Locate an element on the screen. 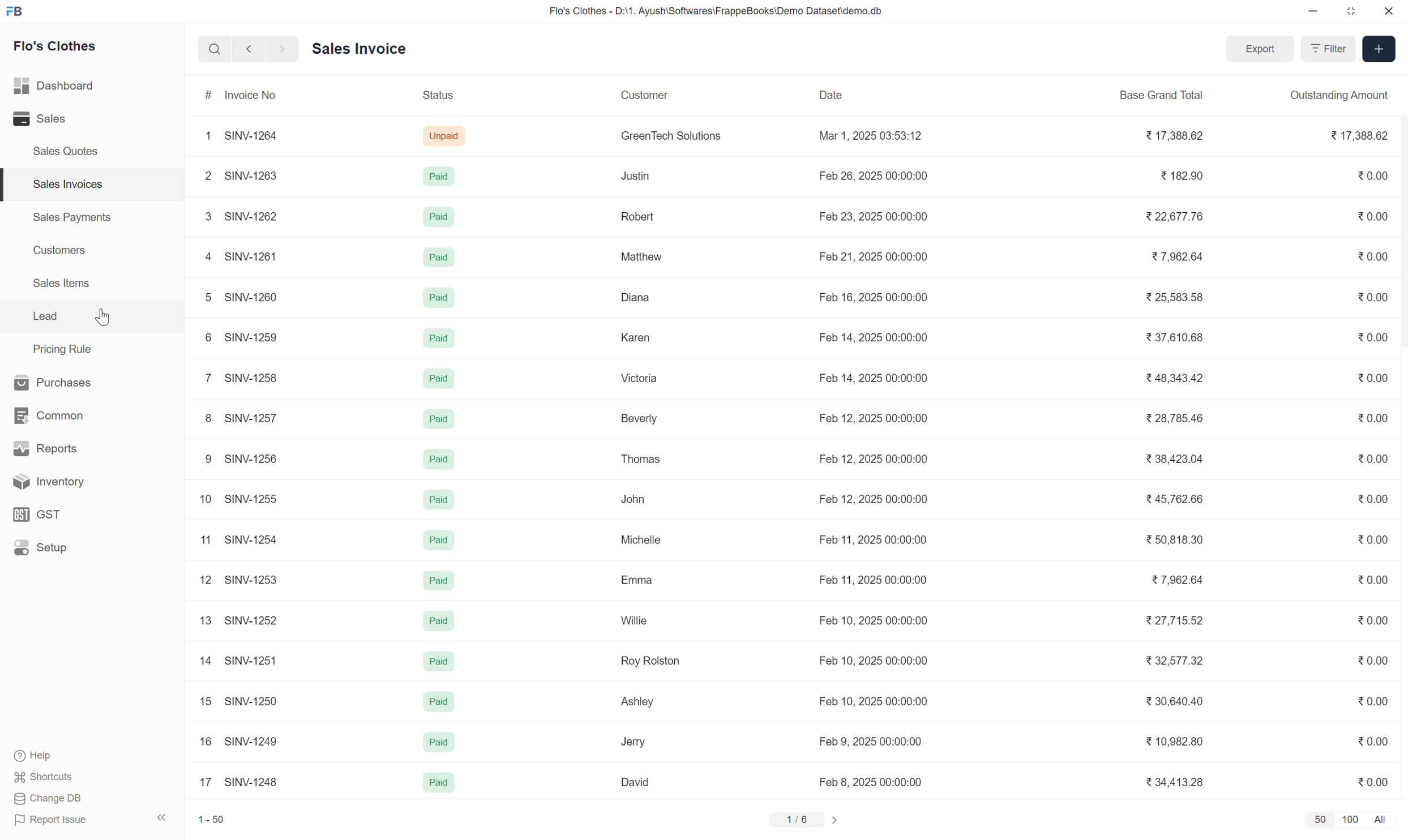 The height and width of the screenshot is (840, 1408). Karen is located at coordinates (632, 337).